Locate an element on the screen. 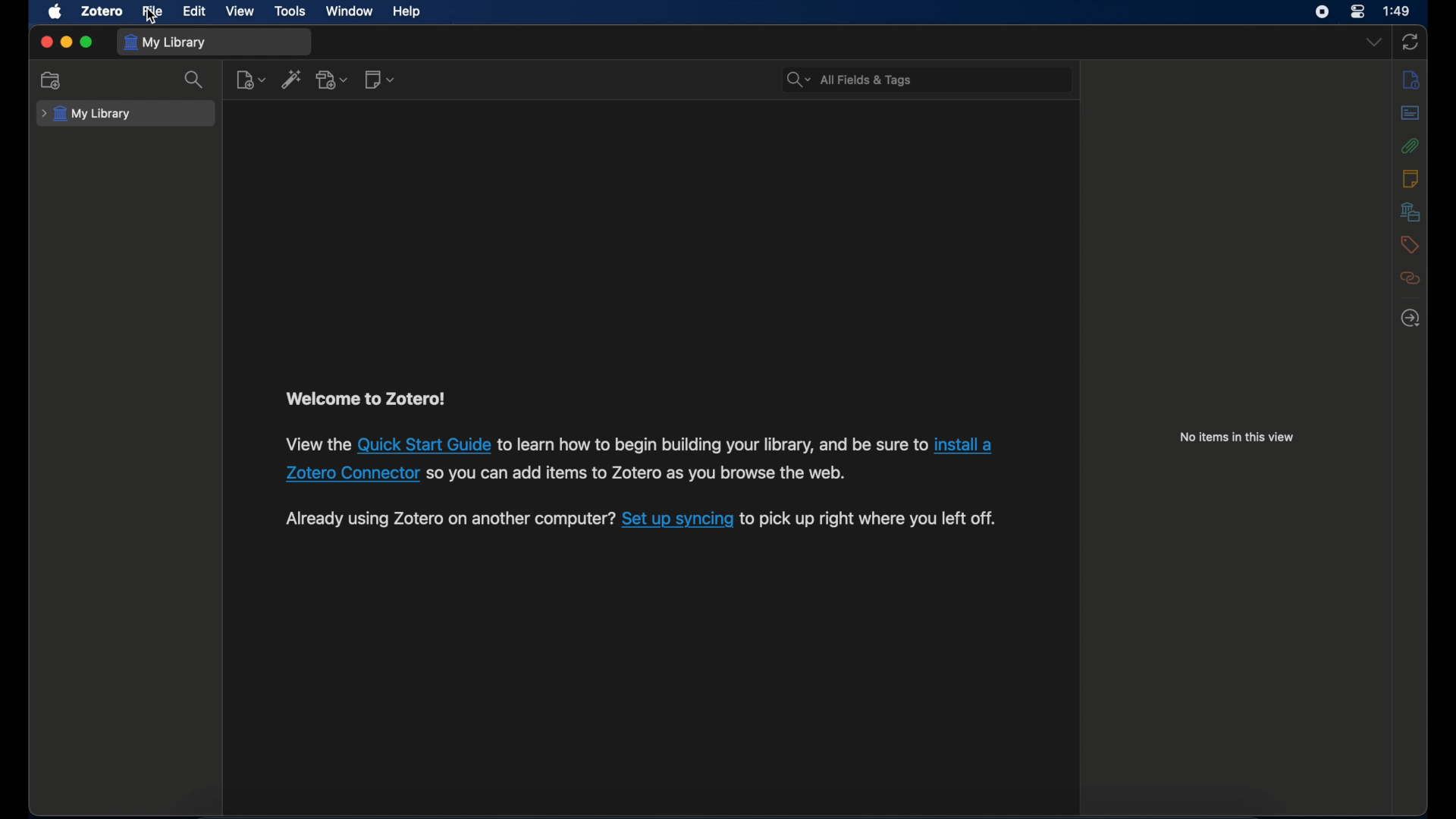  edit is located at coordinates (196, 11).